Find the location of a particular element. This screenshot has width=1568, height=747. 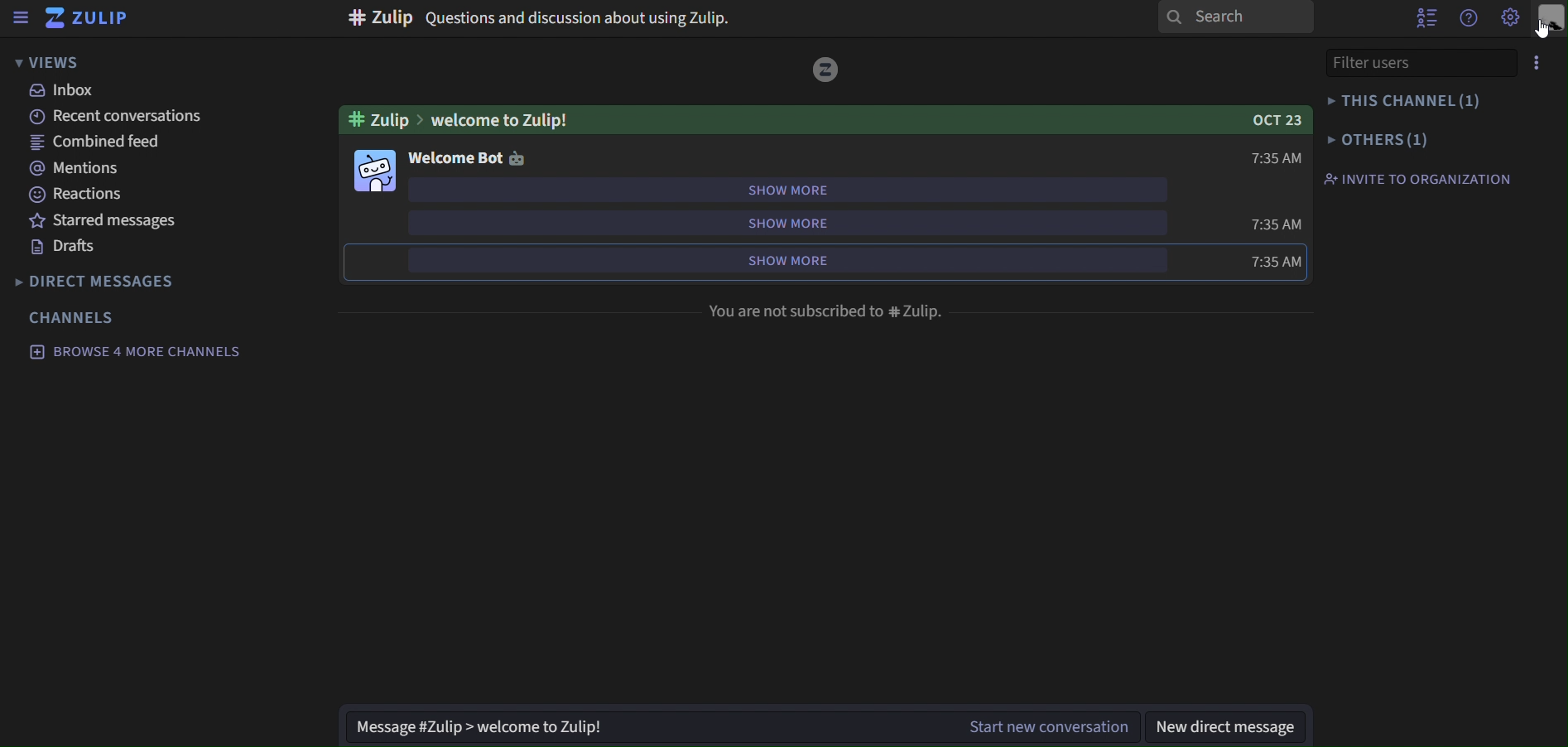

options is located at coordinates (1546, 62).